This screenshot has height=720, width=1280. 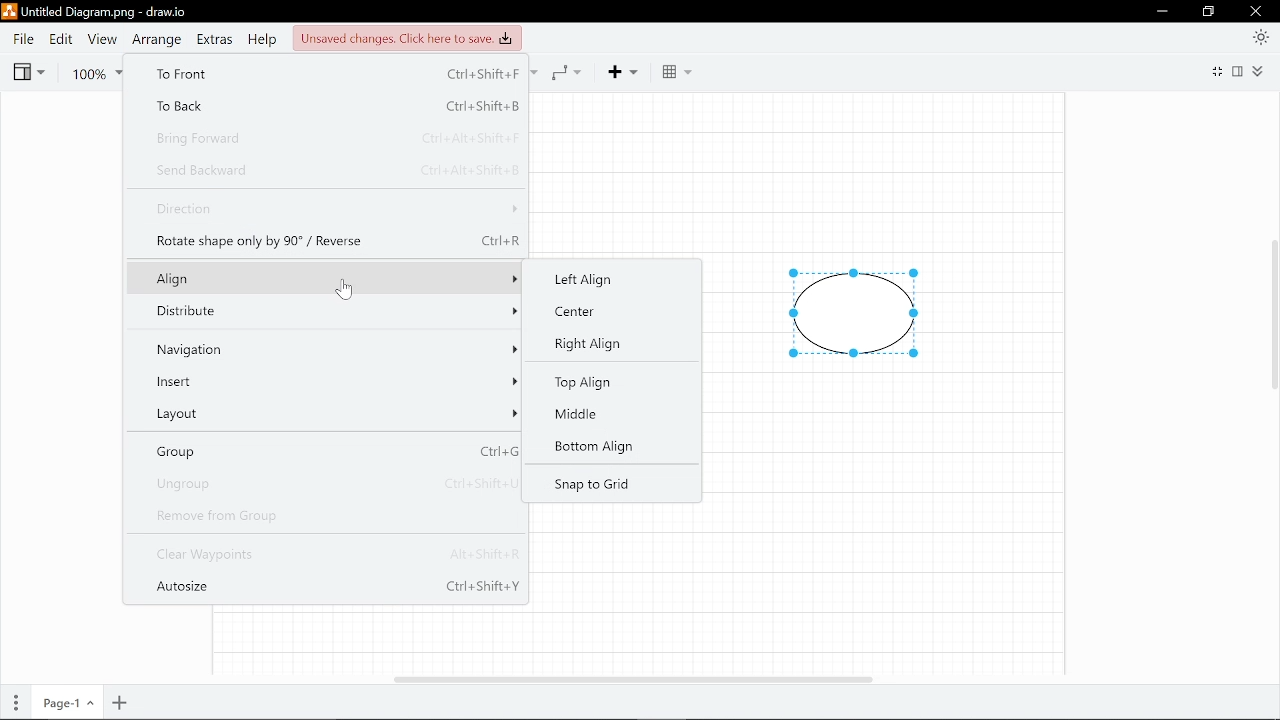 What do you see at coordinates (1272, 319) in the screenshot?
I see `Vertical scrollbar` at bounding box center [1272, 319].